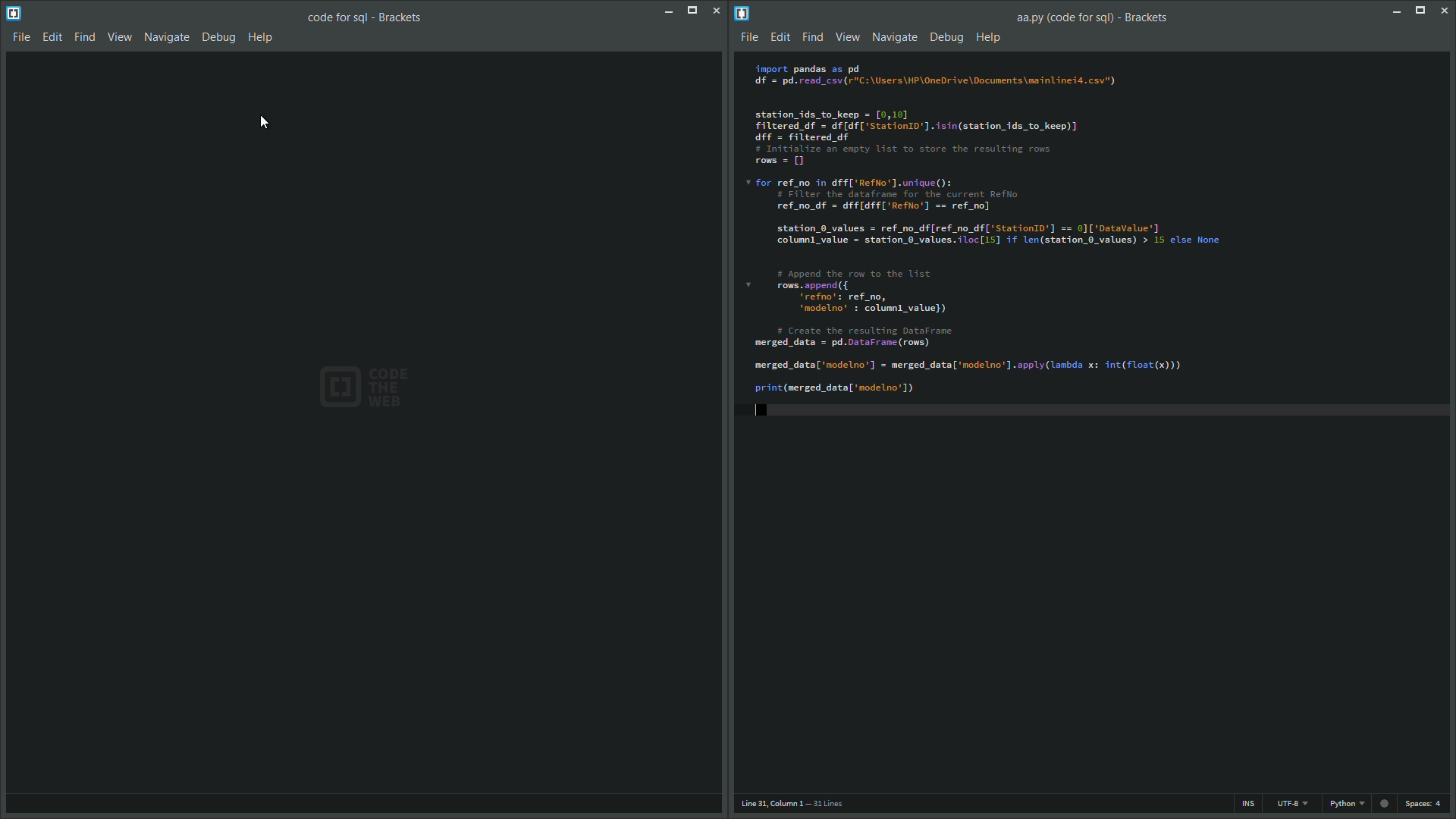 Image resolution: width=1456 pixels, height=819 pixels. I want to click on file name, so click(367, 17).